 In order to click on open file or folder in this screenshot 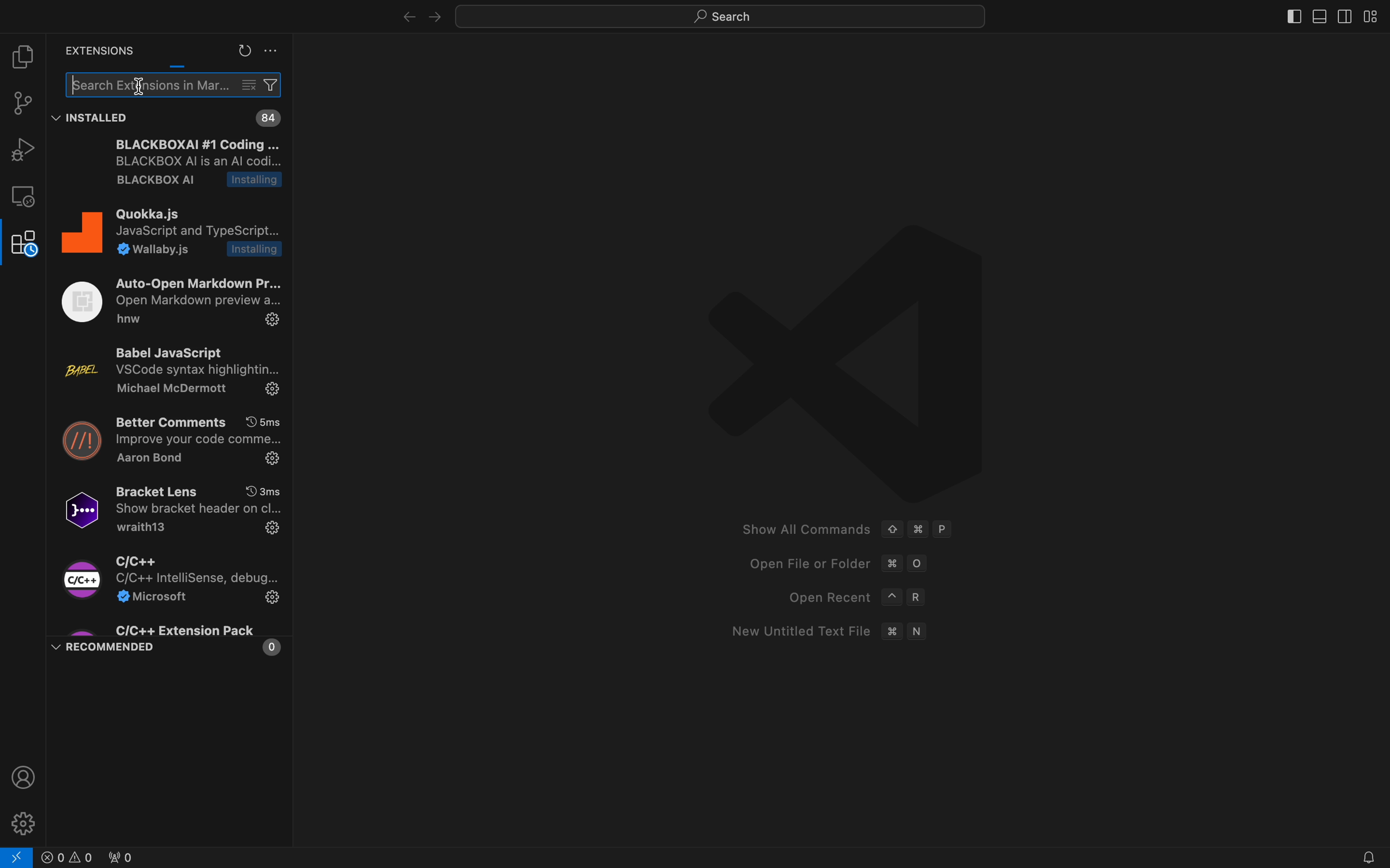, I will do `click(829, 565)`.